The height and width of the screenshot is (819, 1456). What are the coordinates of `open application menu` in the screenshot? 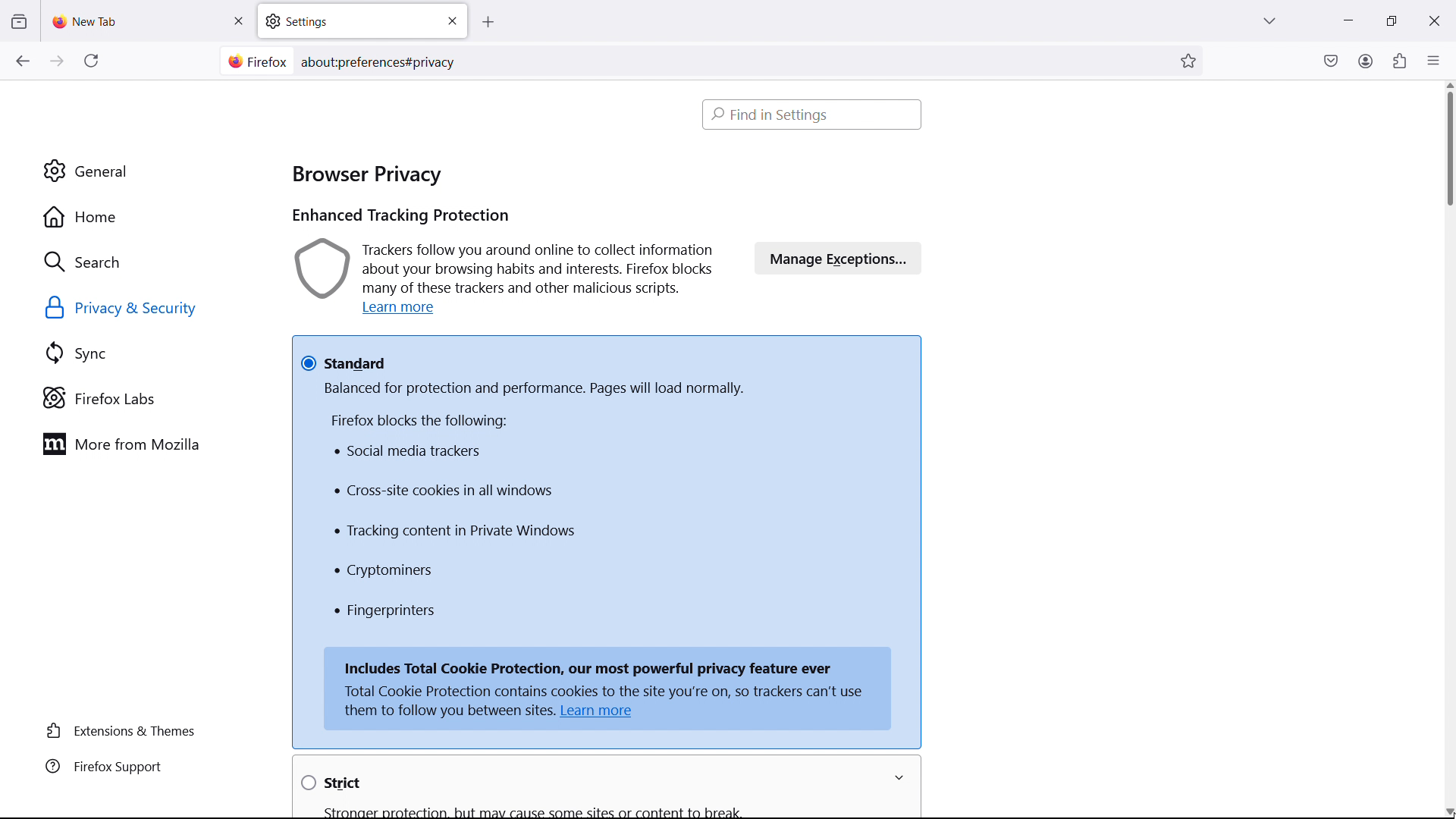 It's located at (1433, 59).